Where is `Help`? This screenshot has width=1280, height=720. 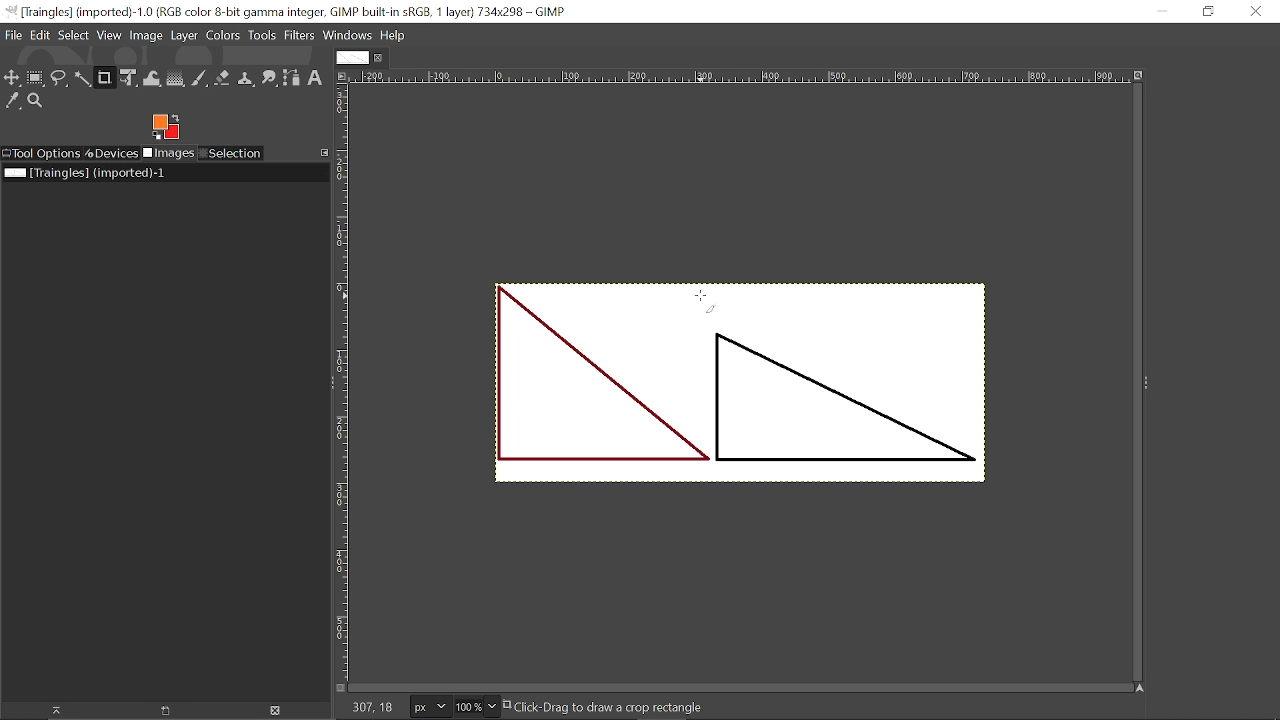
Help is located at coordinates (392, 35).